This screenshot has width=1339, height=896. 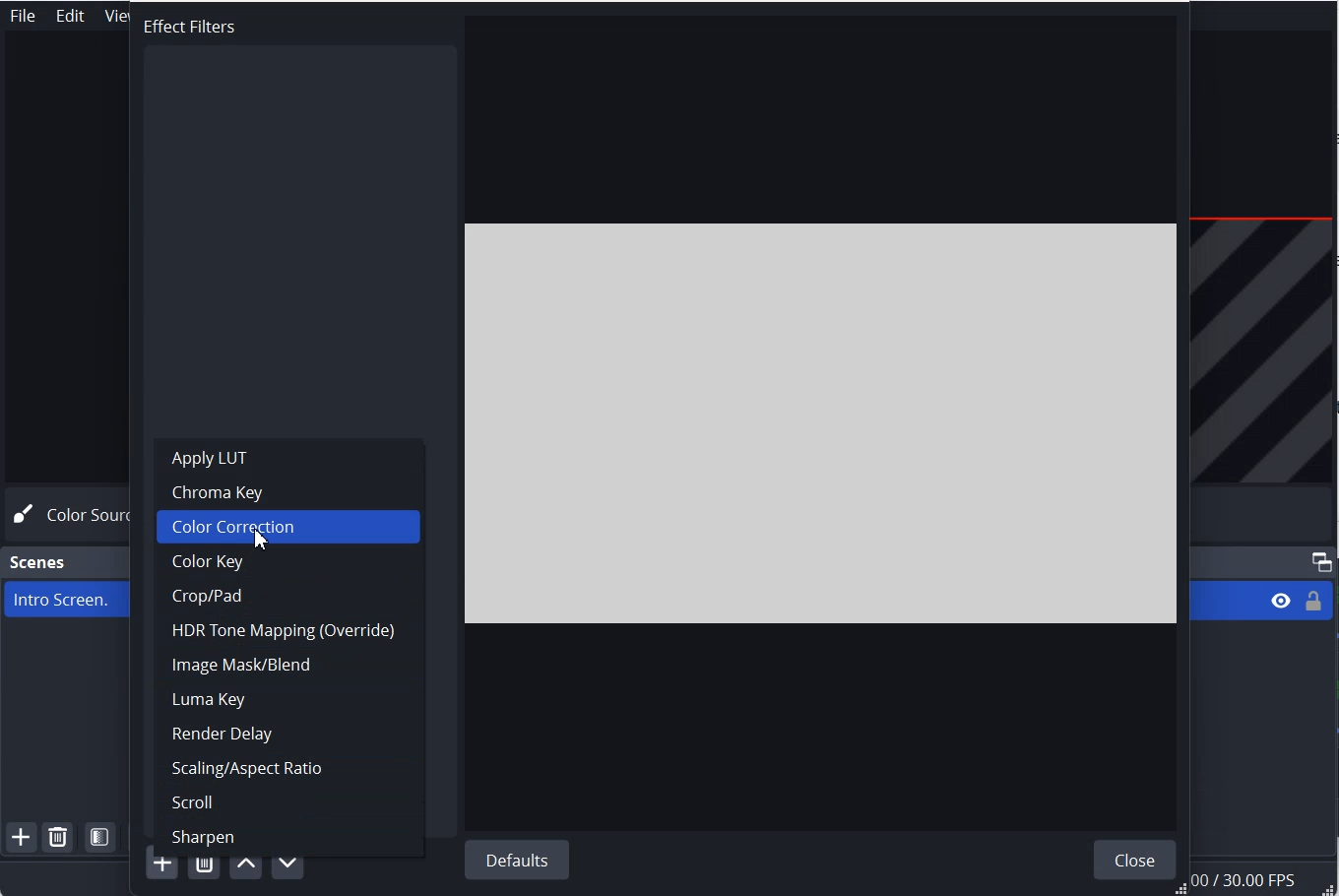 What do you see at coordinates (287, 866) in the screenshot?
I see `Move Filter down` at bounding box center [287, 866].